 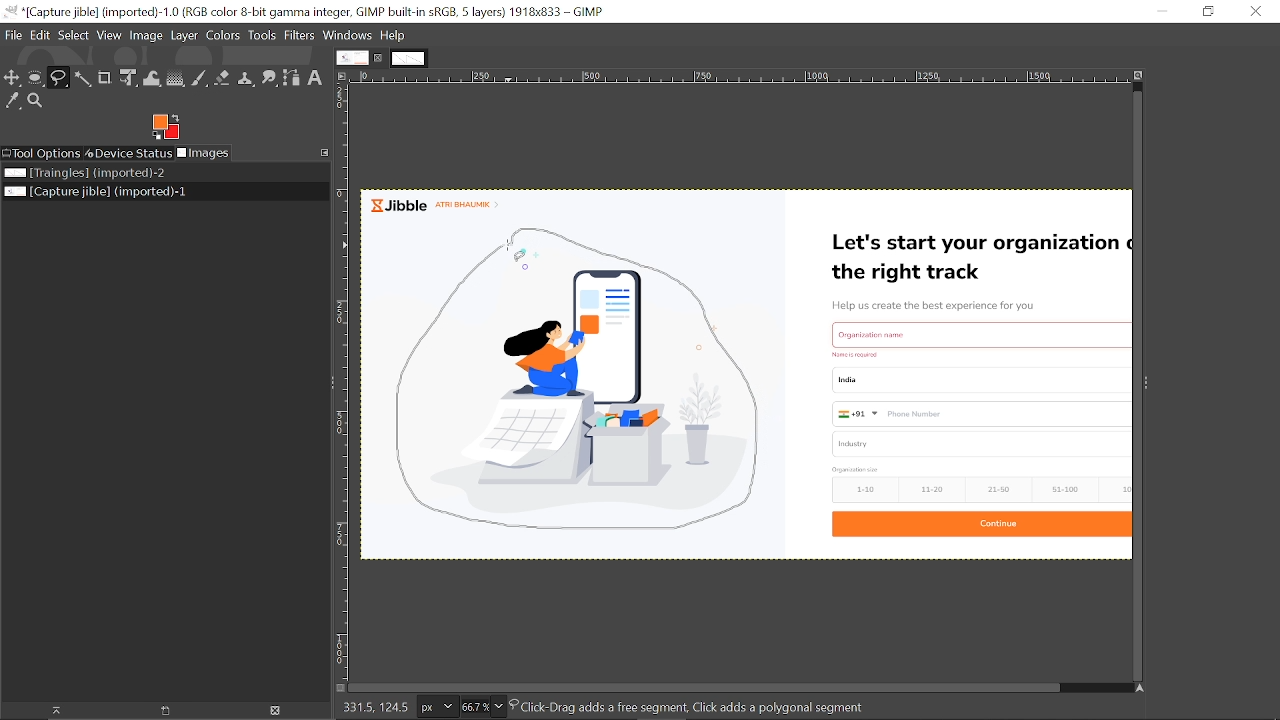 What do you see at coordinates (128, 153) in the screenshot?
I see `Device status` at bounding box center [128, 153].